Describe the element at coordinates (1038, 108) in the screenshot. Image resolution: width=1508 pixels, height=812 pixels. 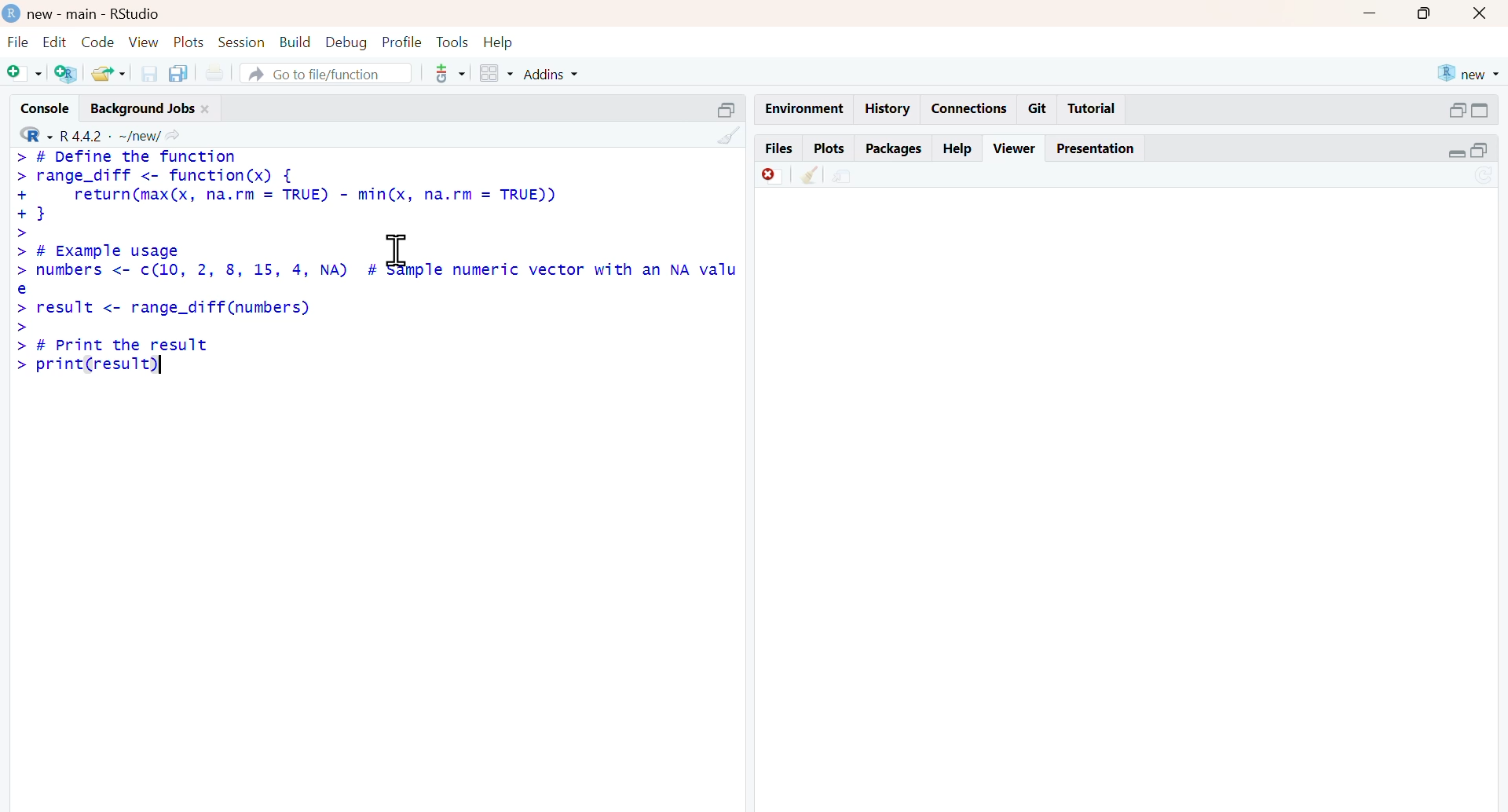
I see `git` at that location.